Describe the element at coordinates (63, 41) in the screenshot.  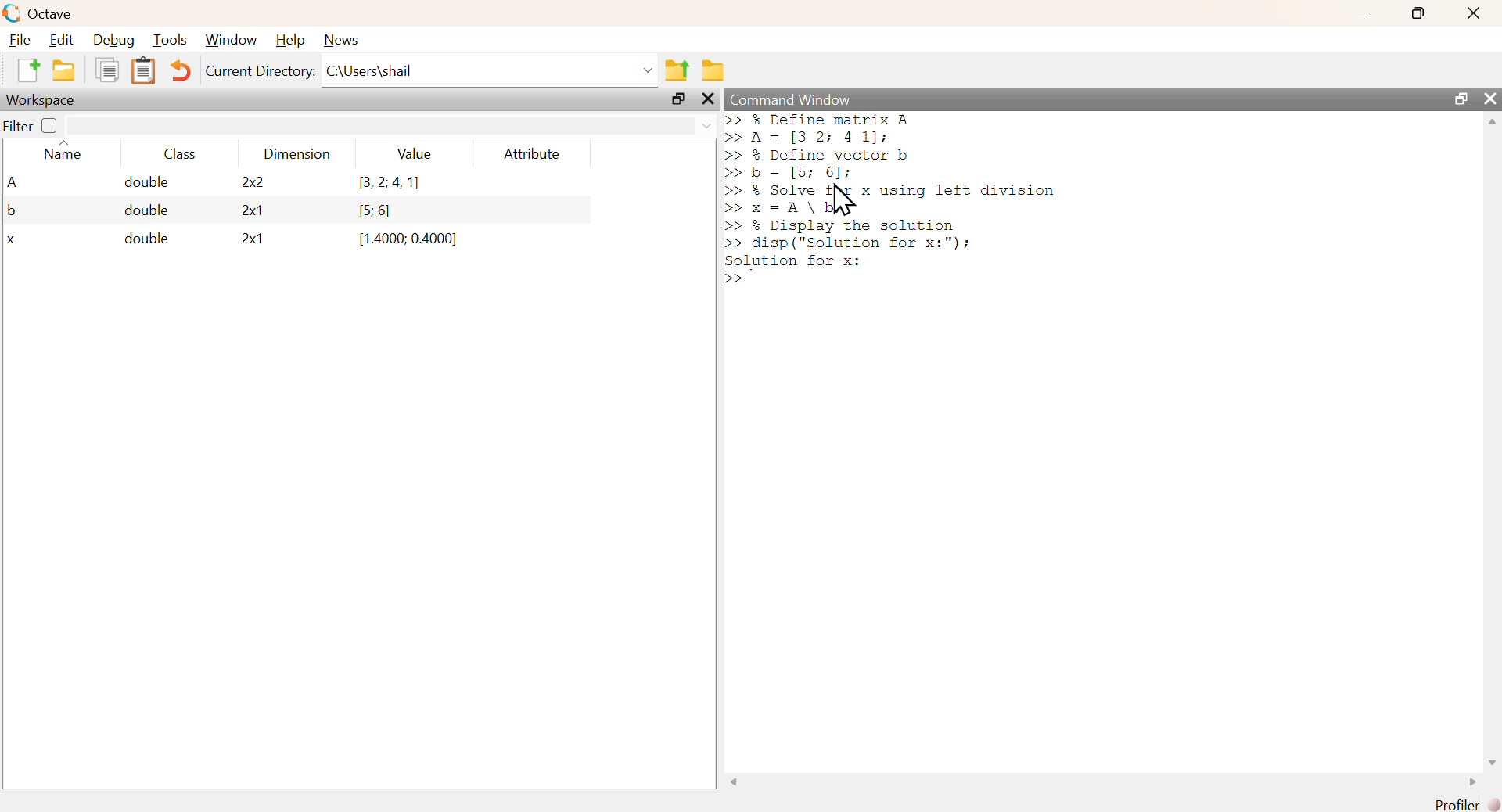
I see `edit` at that location.